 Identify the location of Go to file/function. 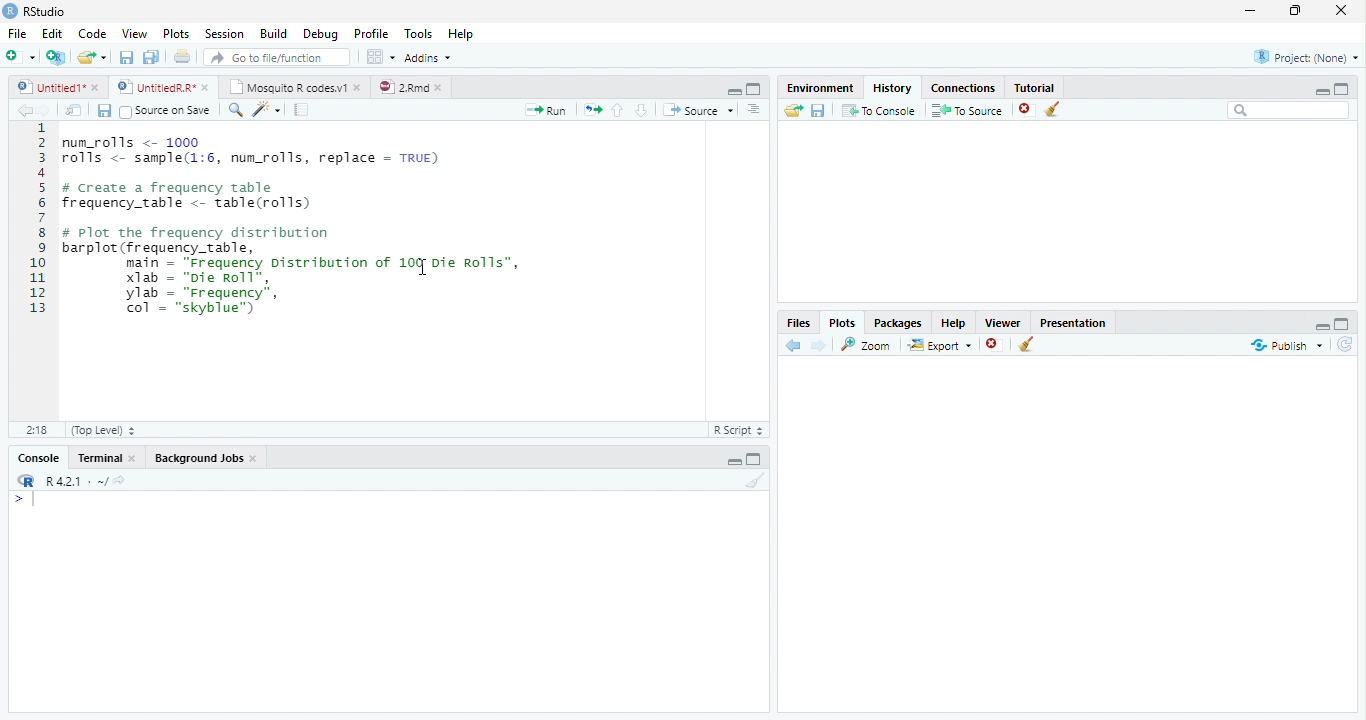
(275, 57).